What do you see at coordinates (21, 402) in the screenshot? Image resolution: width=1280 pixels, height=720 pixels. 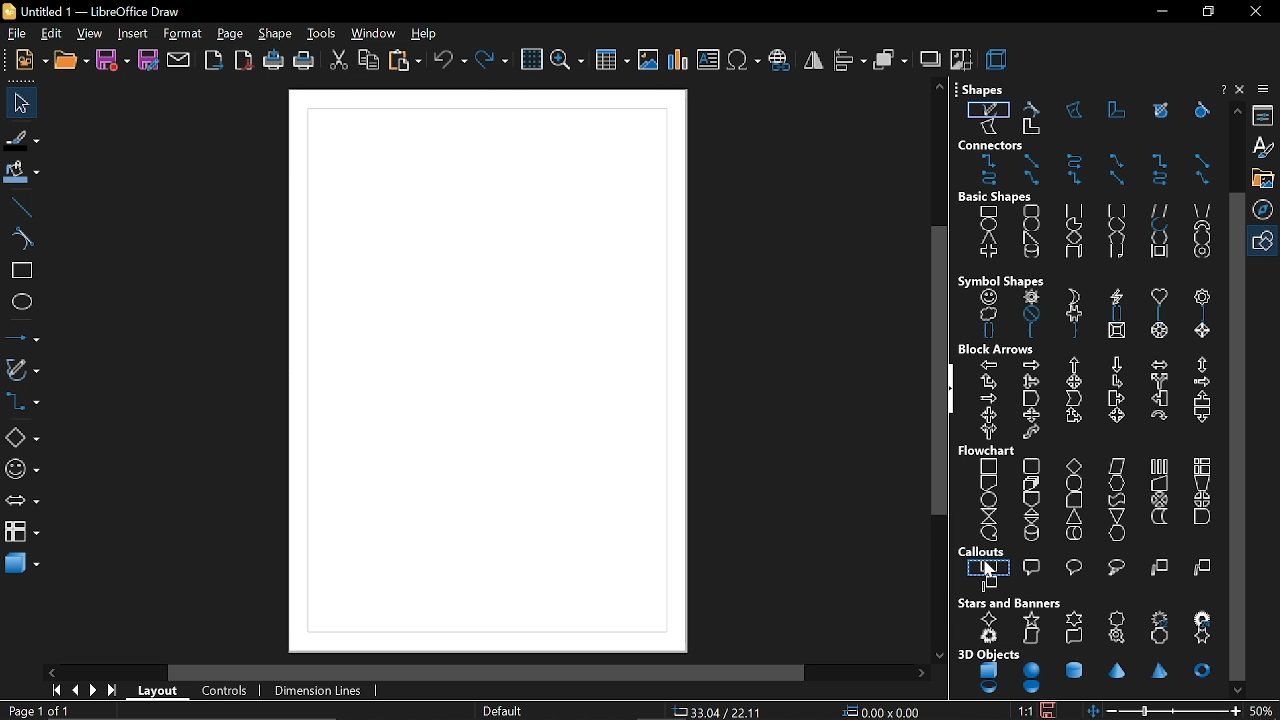 I see `connectors` at bounding box center [21, 402].